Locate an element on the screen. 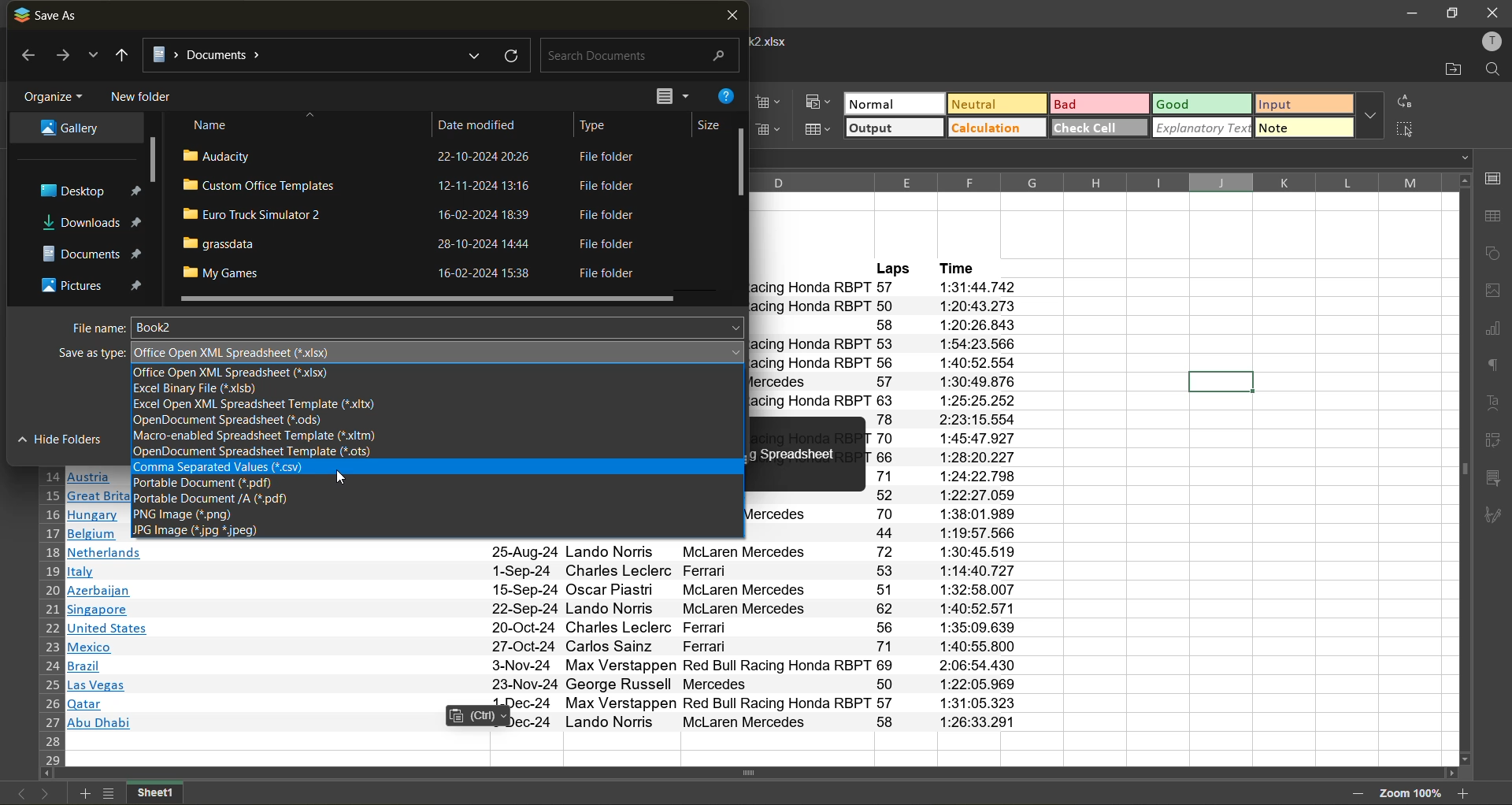  xml spreadsheet is located at coordinates (240, 352).